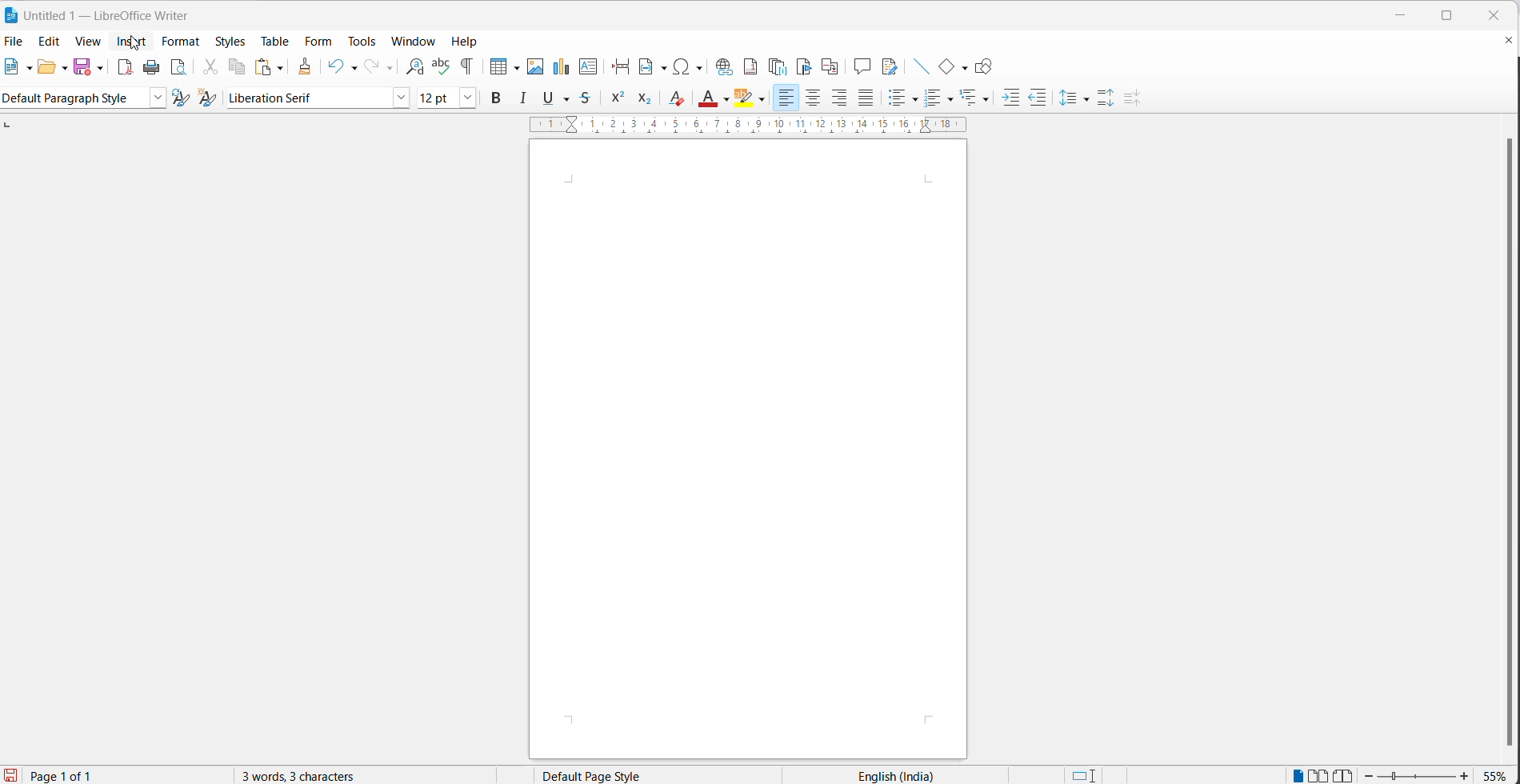 The height and width of the screenshot is (784, 1520). What do you see at coordinates (1106, 96) in the screenshot?
I see `increase paragraph space` at bounding box center [1106, 96].